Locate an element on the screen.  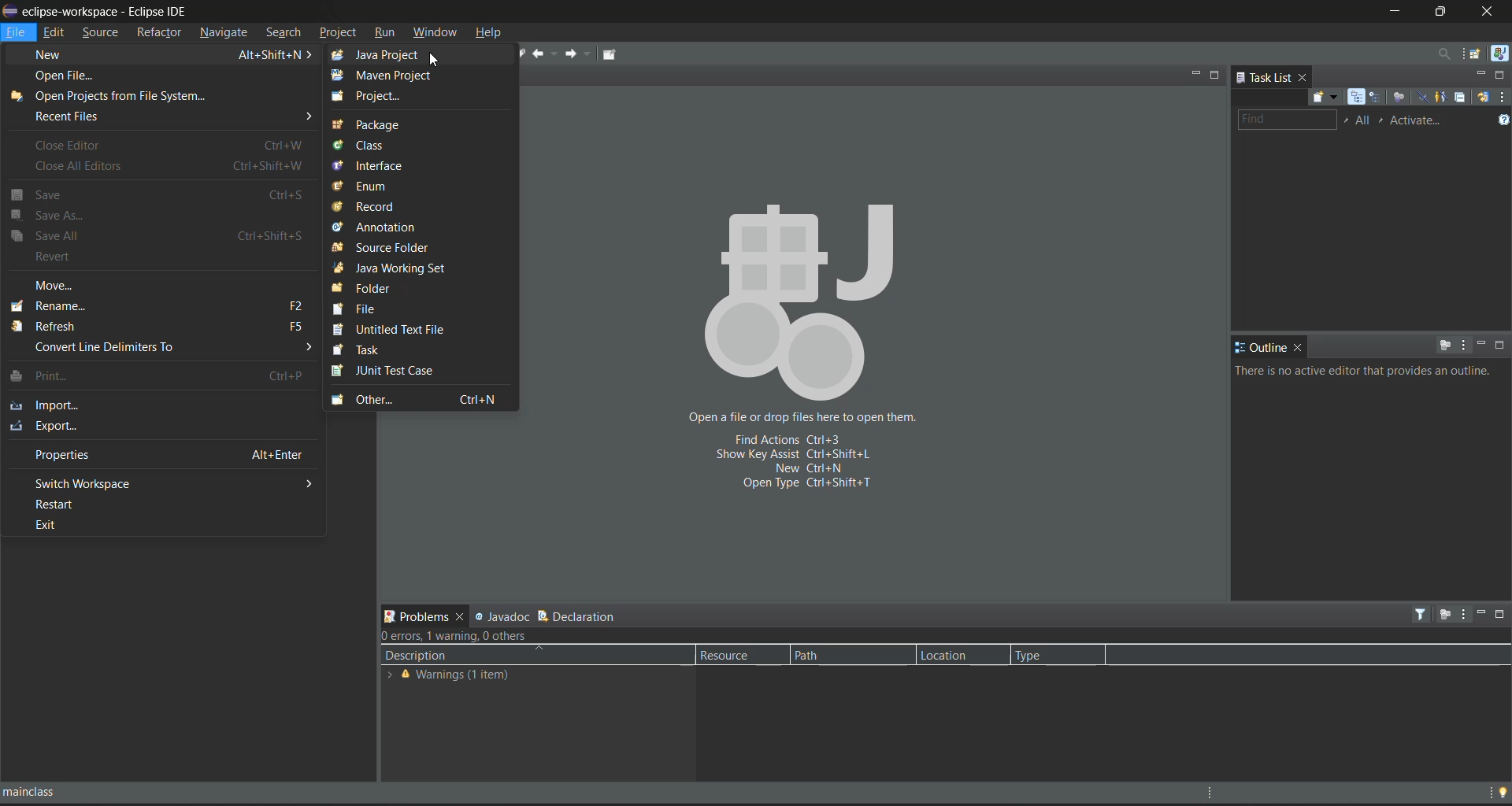
close all editors is located at coordinates (175, 167).